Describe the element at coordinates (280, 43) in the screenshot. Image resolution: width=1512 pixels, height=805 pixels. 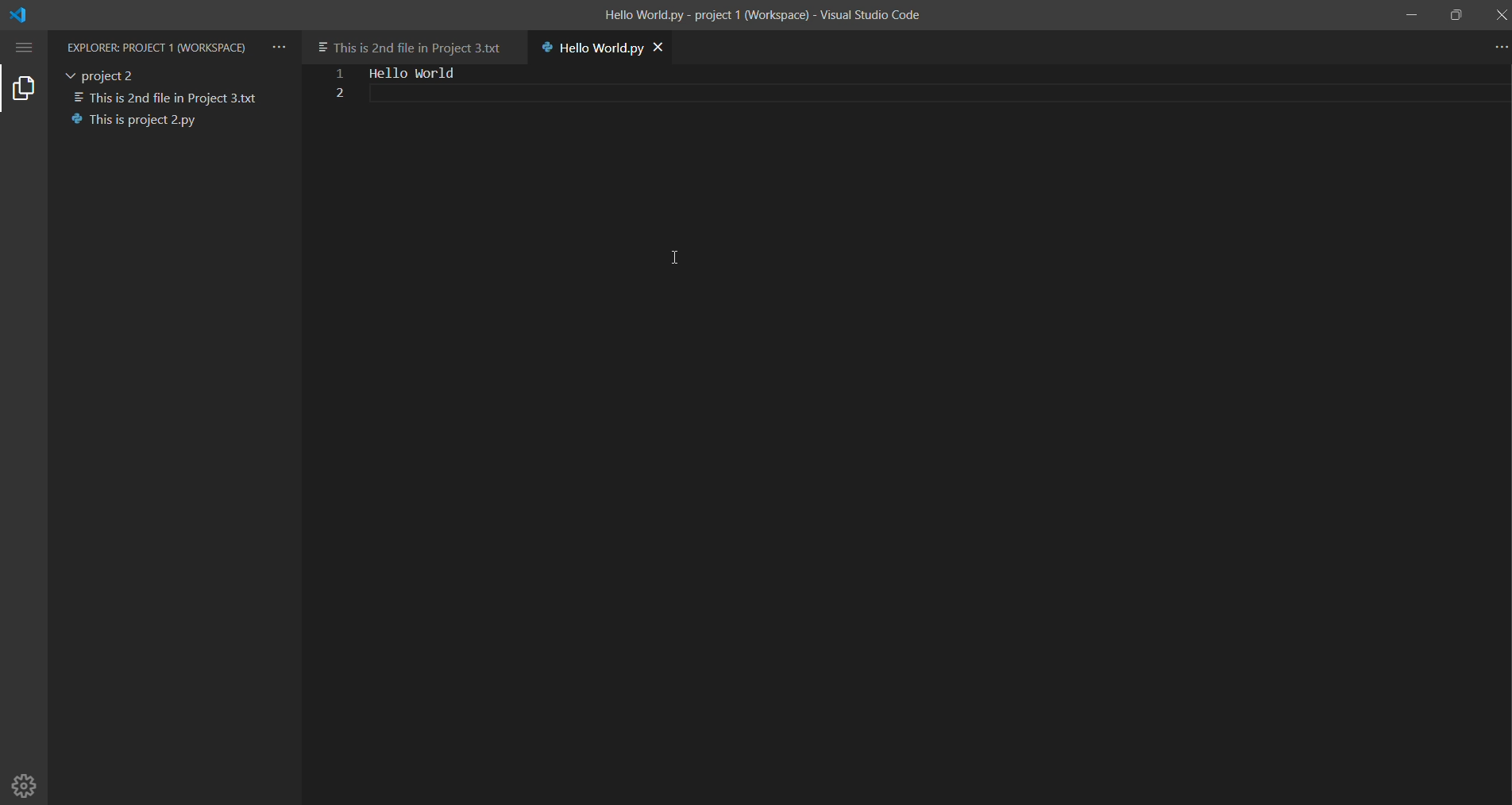
I see `views and more actions` at that location.